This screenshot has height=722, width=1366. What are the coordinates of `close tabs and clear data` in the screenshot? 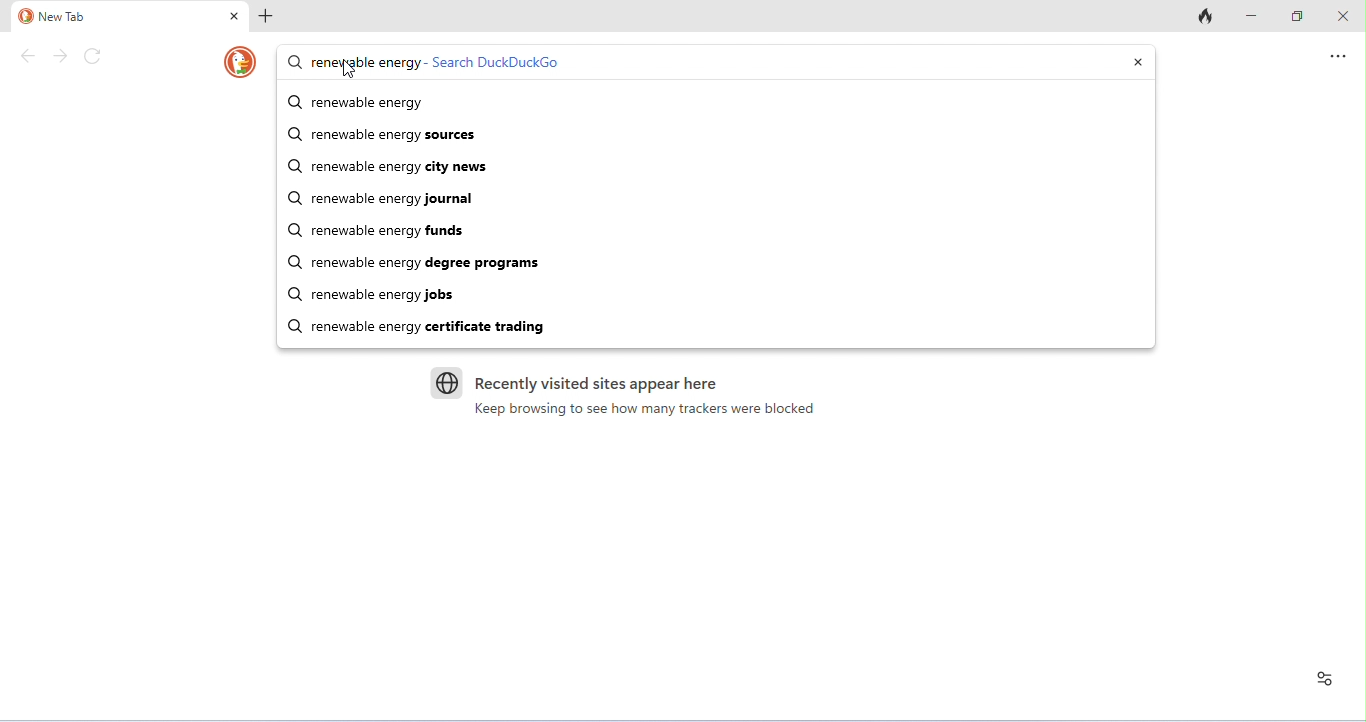 It's located at (1206, 15).